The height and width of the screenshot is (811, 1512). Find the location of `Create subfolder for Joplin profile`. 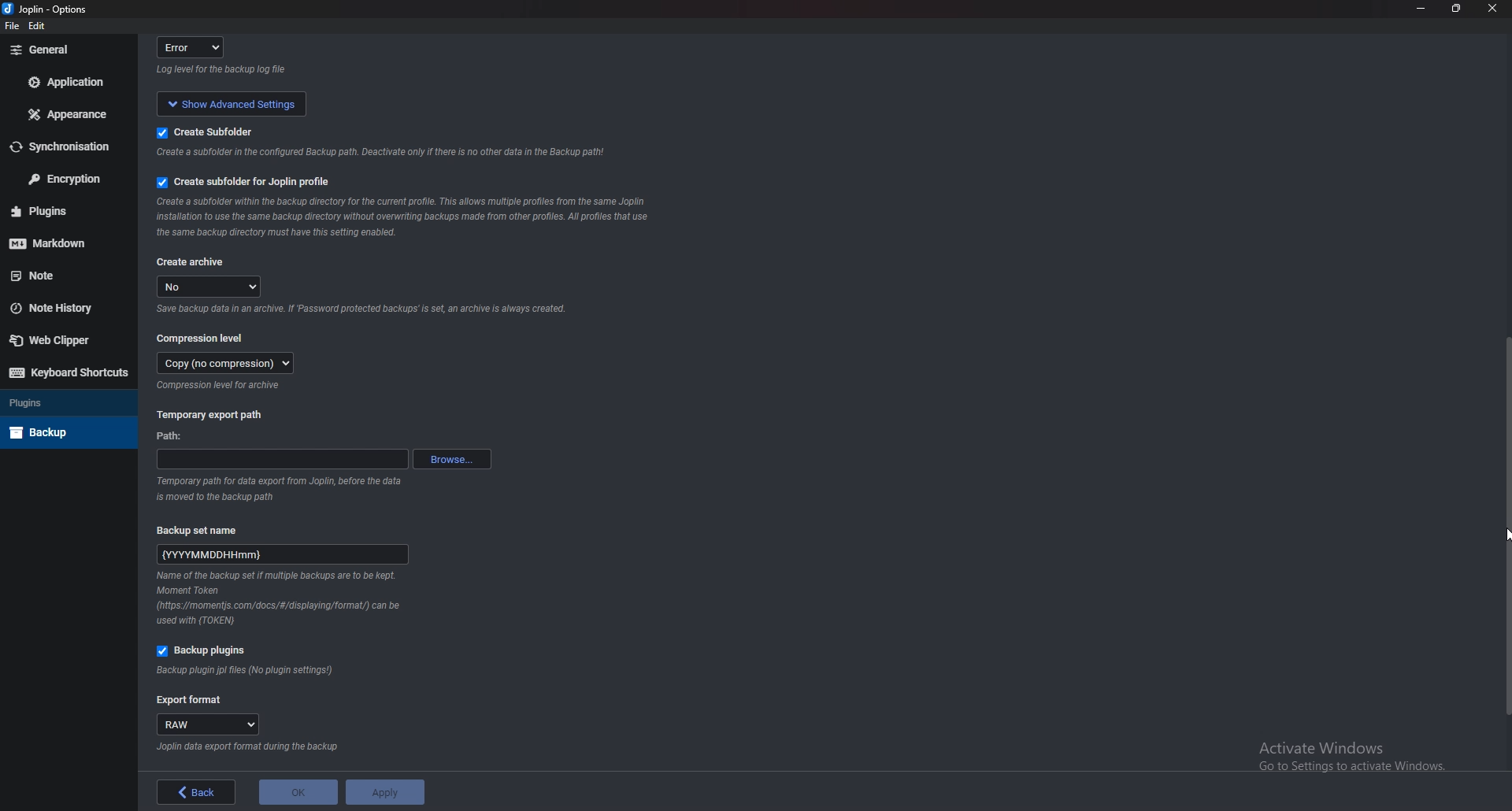

Create subfolder for Joplin profile is located at coordinates (247, 182).